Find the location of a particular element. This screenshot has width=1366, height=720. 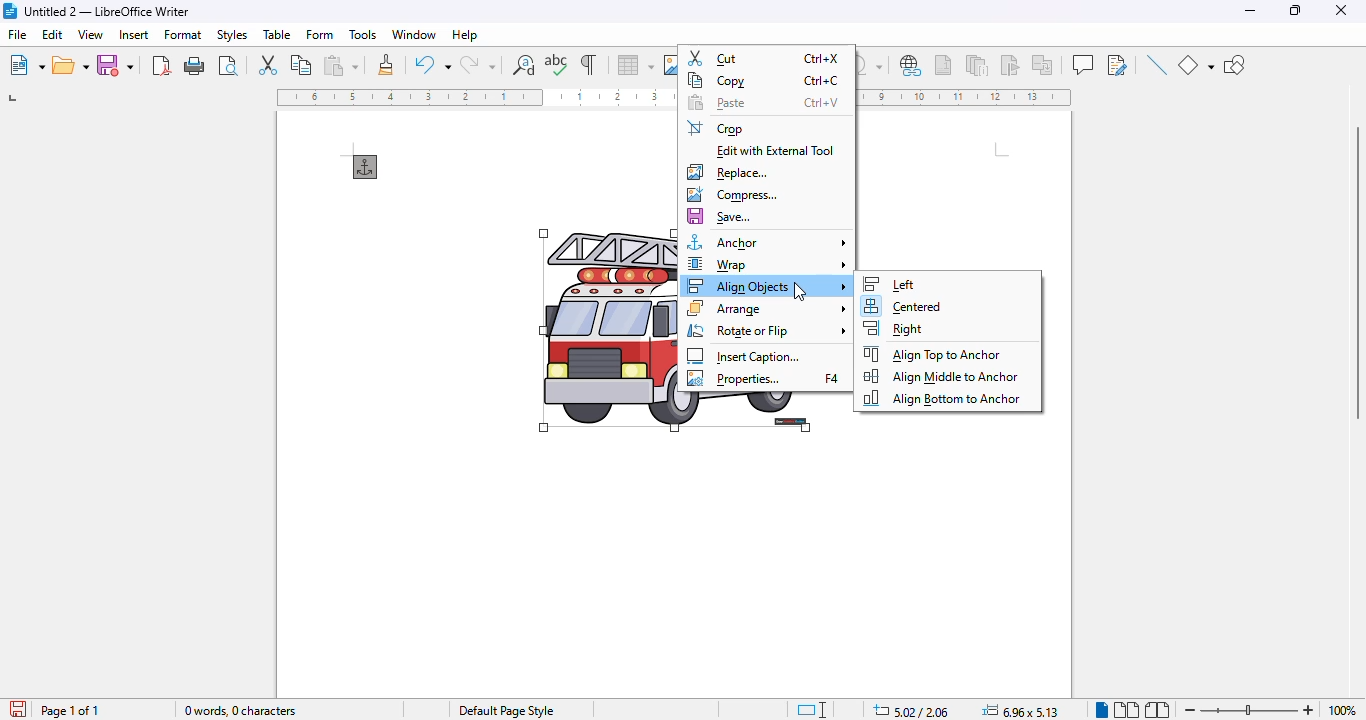

show track changes functions is located at coordinates (1118, 65).